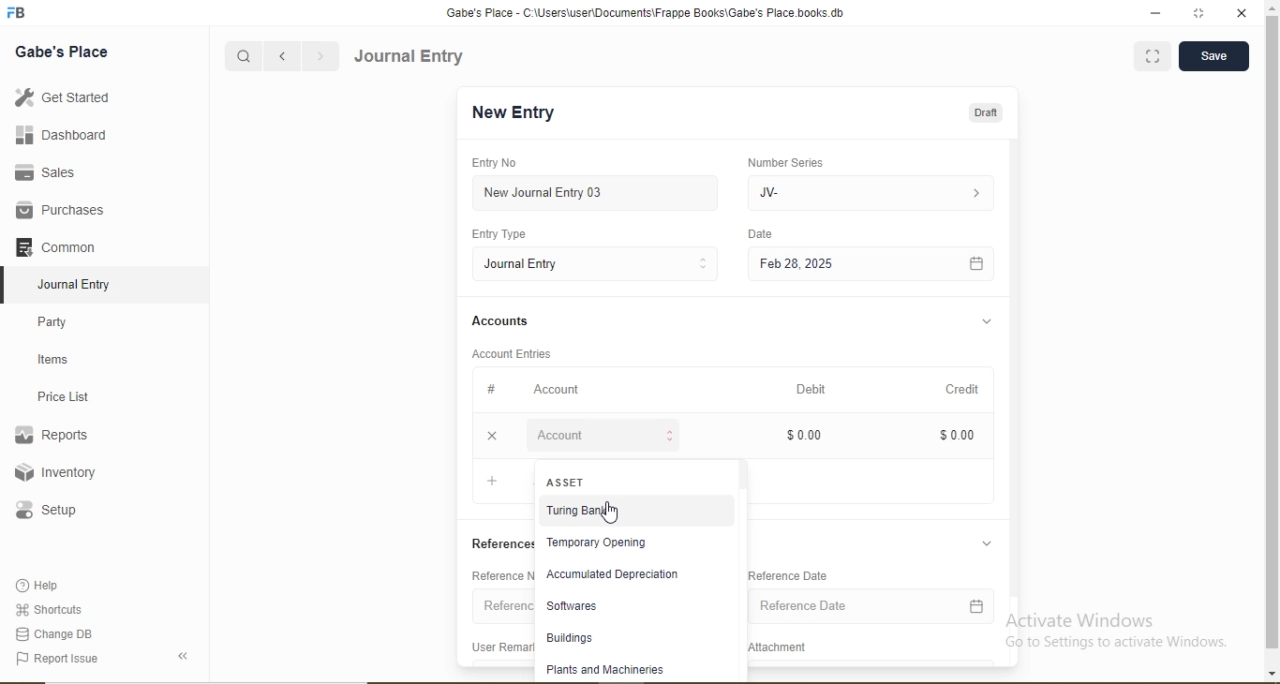 The width and height of the screenshot is (1280, 684). Describe the element at coordinates (989, 543) in the screenshot. I see `Dropdown` at that location.